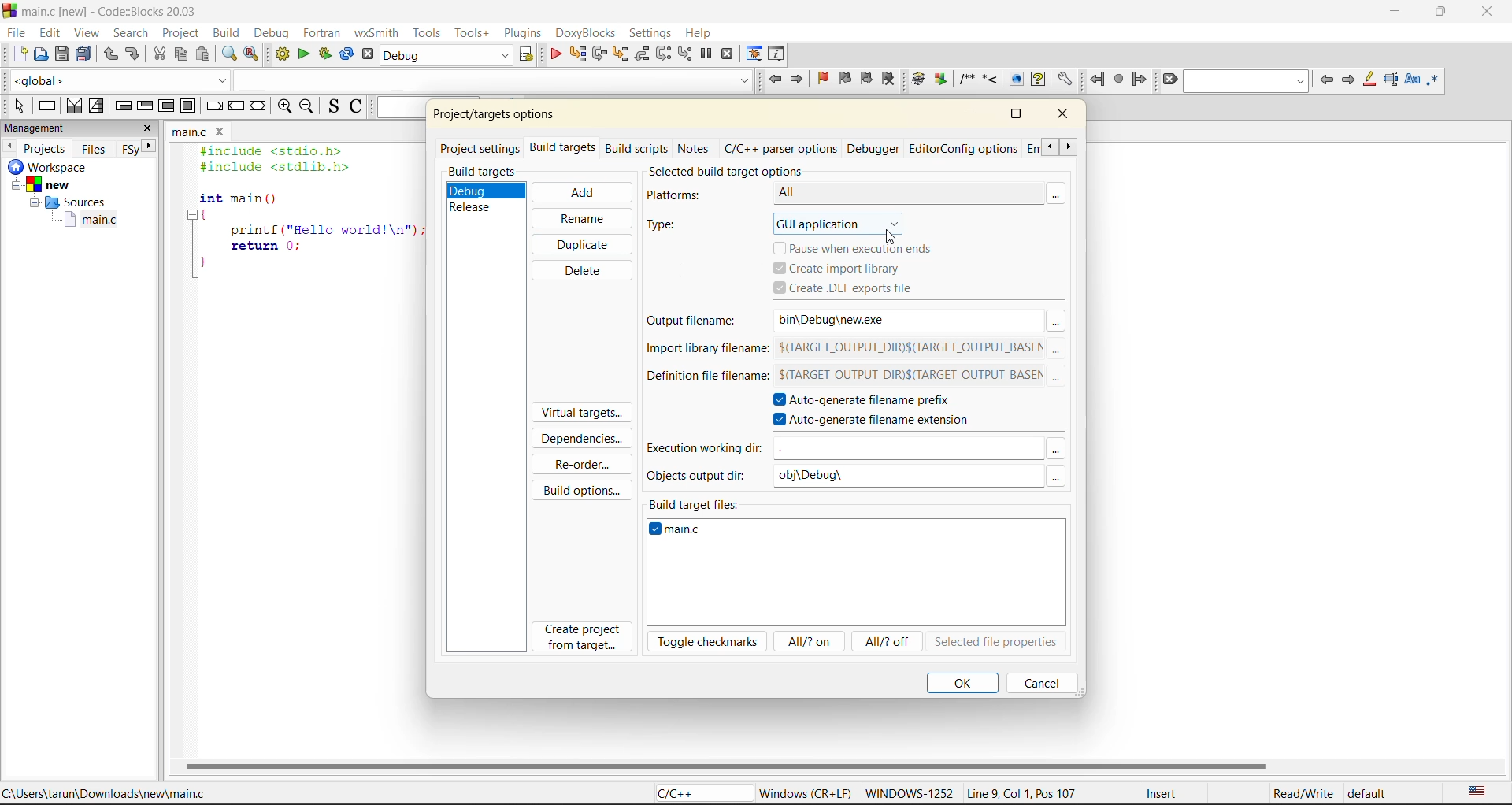  Describe the element at coordinates (305, 215) in the screenshot. I see `#include <stdio.h>

#include <stdlib.h>

int main ()

{
printf ("Hello world!\n");
return 0;

}` at that location.